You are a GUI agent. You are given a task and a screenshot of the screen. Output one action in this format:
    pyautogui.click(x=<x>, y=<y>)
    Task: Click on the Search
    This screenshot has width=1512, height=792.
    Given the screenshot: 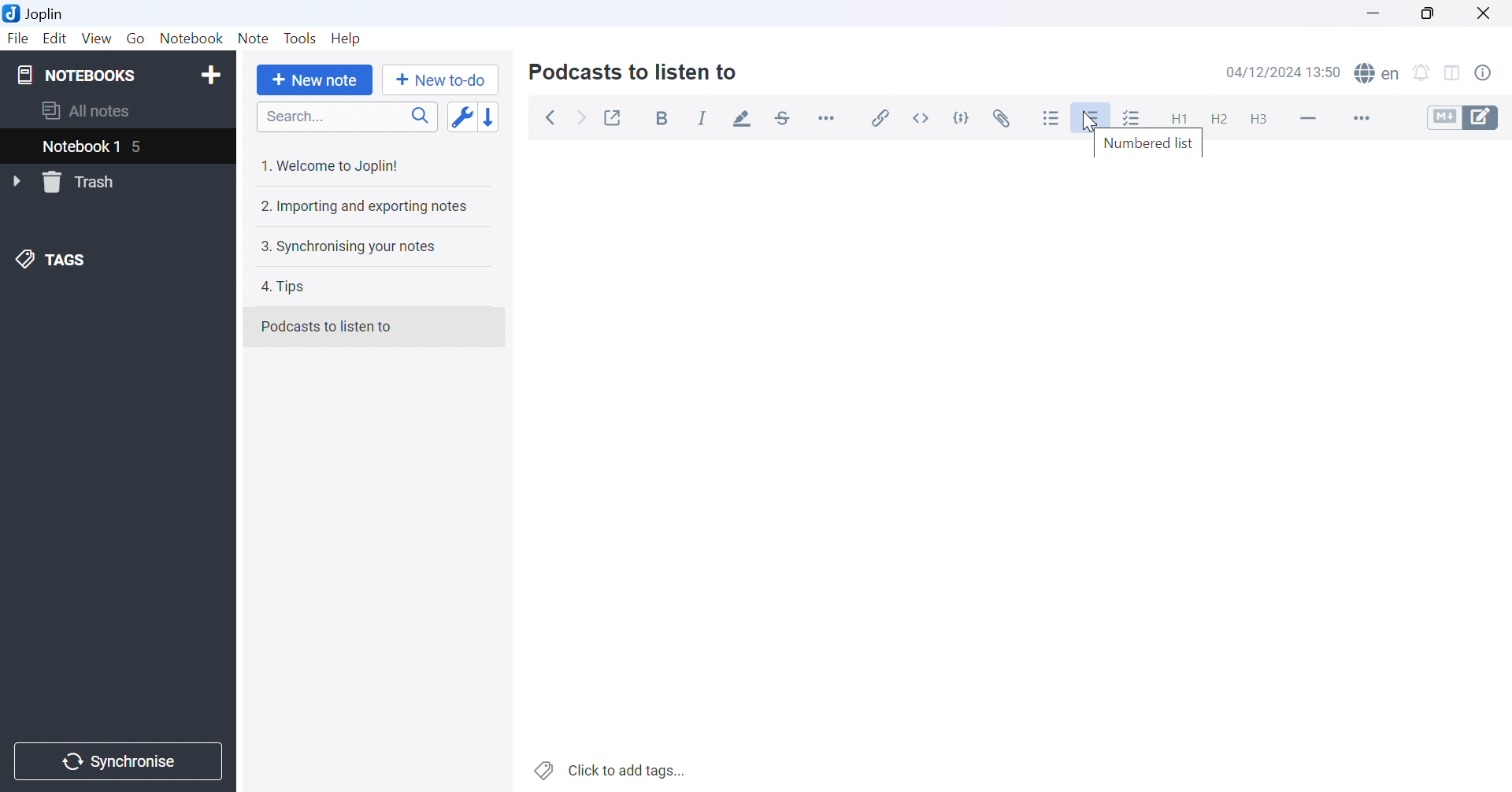 What is the action you would take?
    pyautogui.click(x=346, y=117)
    